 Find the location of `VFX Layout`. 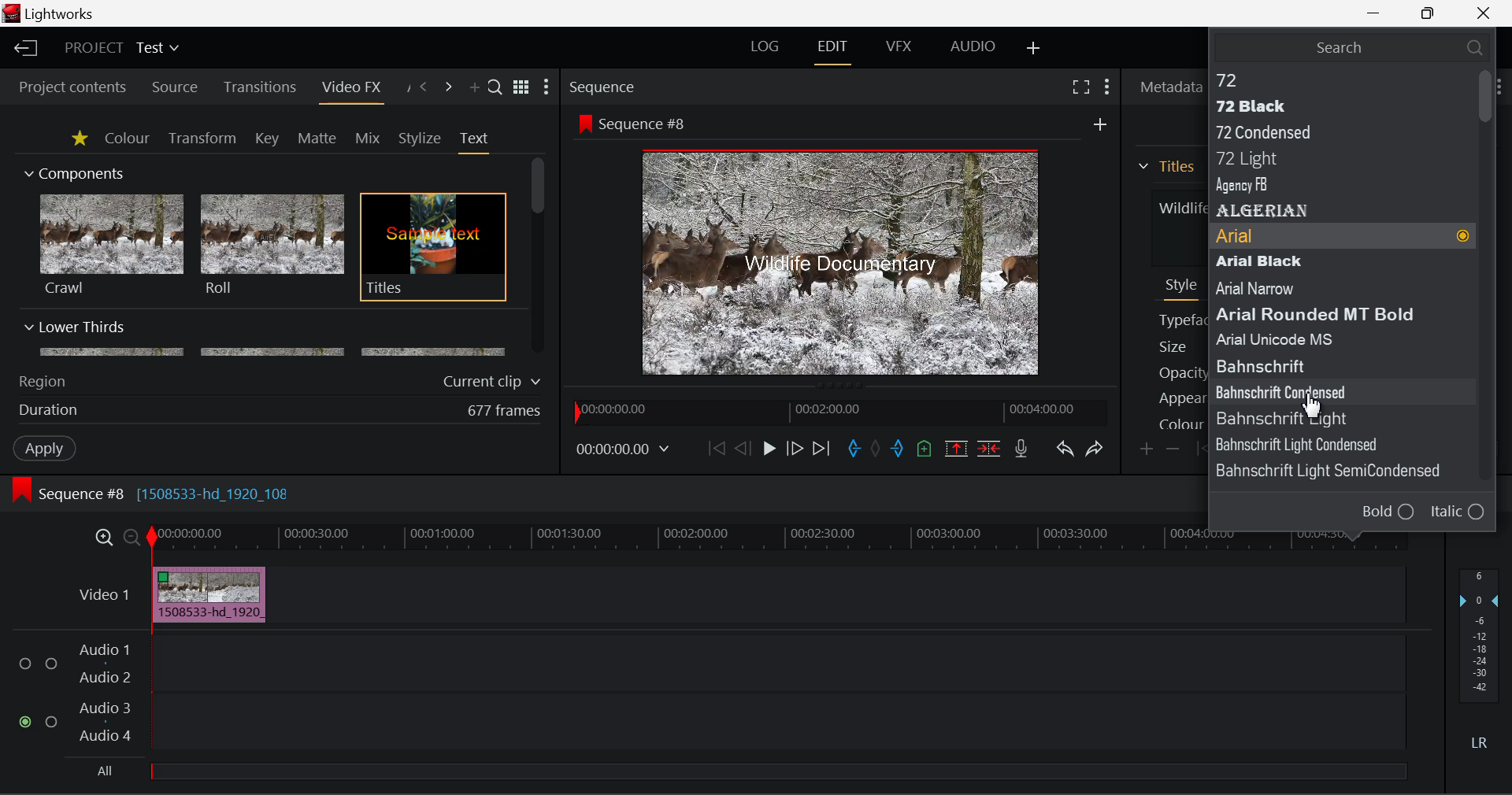

VFX Layout is located at coordinates (898, 46).